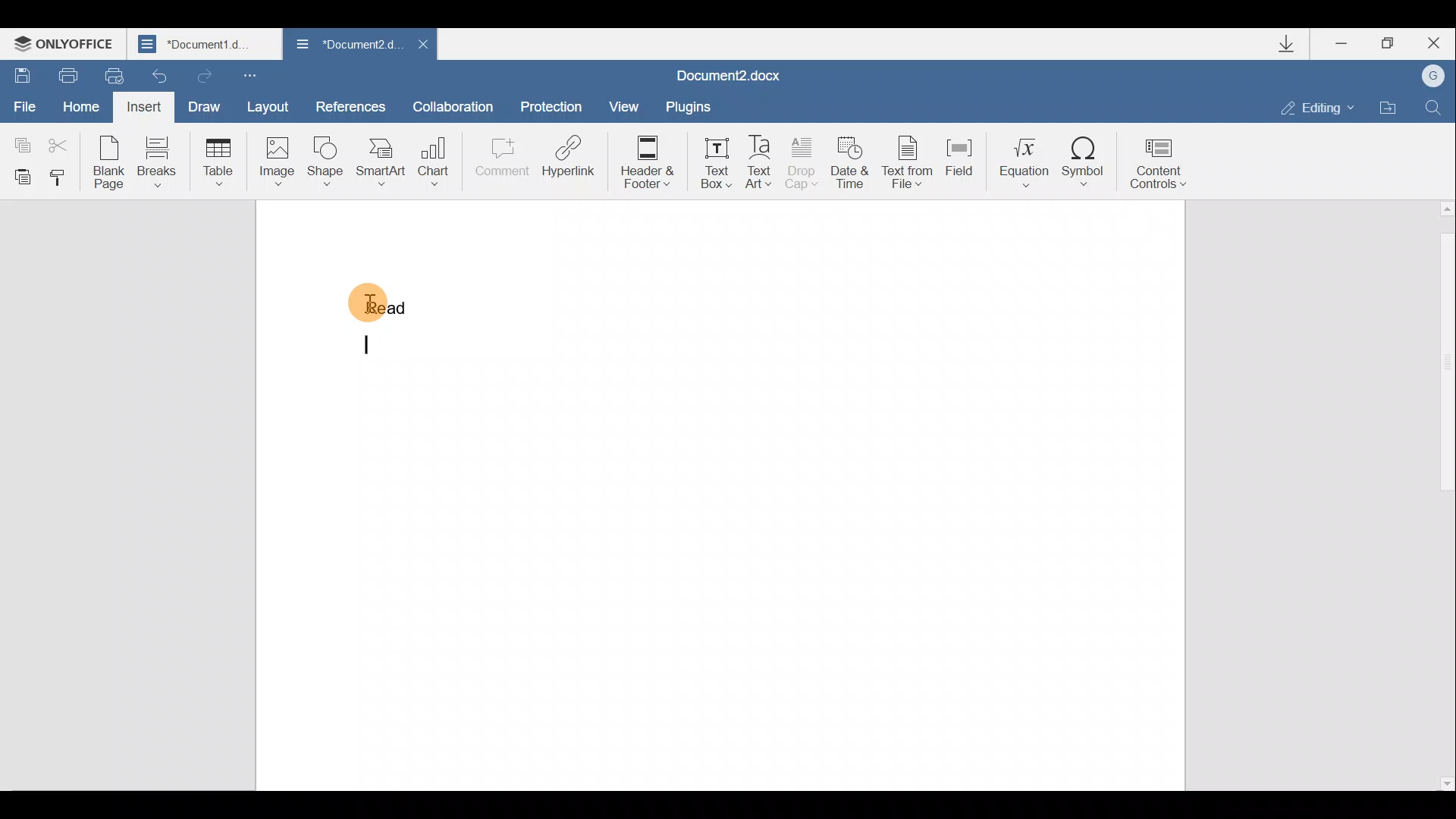 This screenshot has height=819, width=1456. What do you see at coordinates (158, 161) in the screenshot?
I see `Breaks` at bounding box center [158, 161].